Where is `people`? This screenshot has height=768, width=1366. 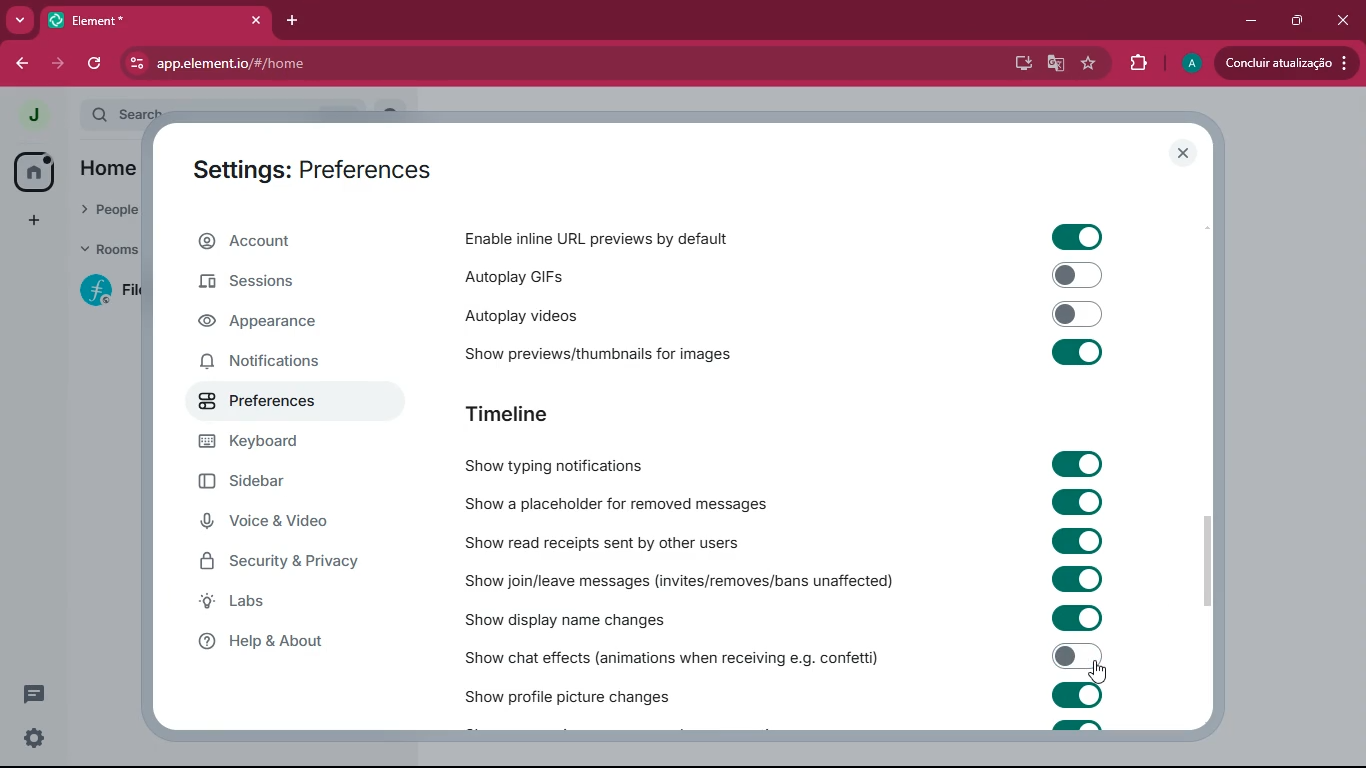 people is located at coordinates (104, 212).